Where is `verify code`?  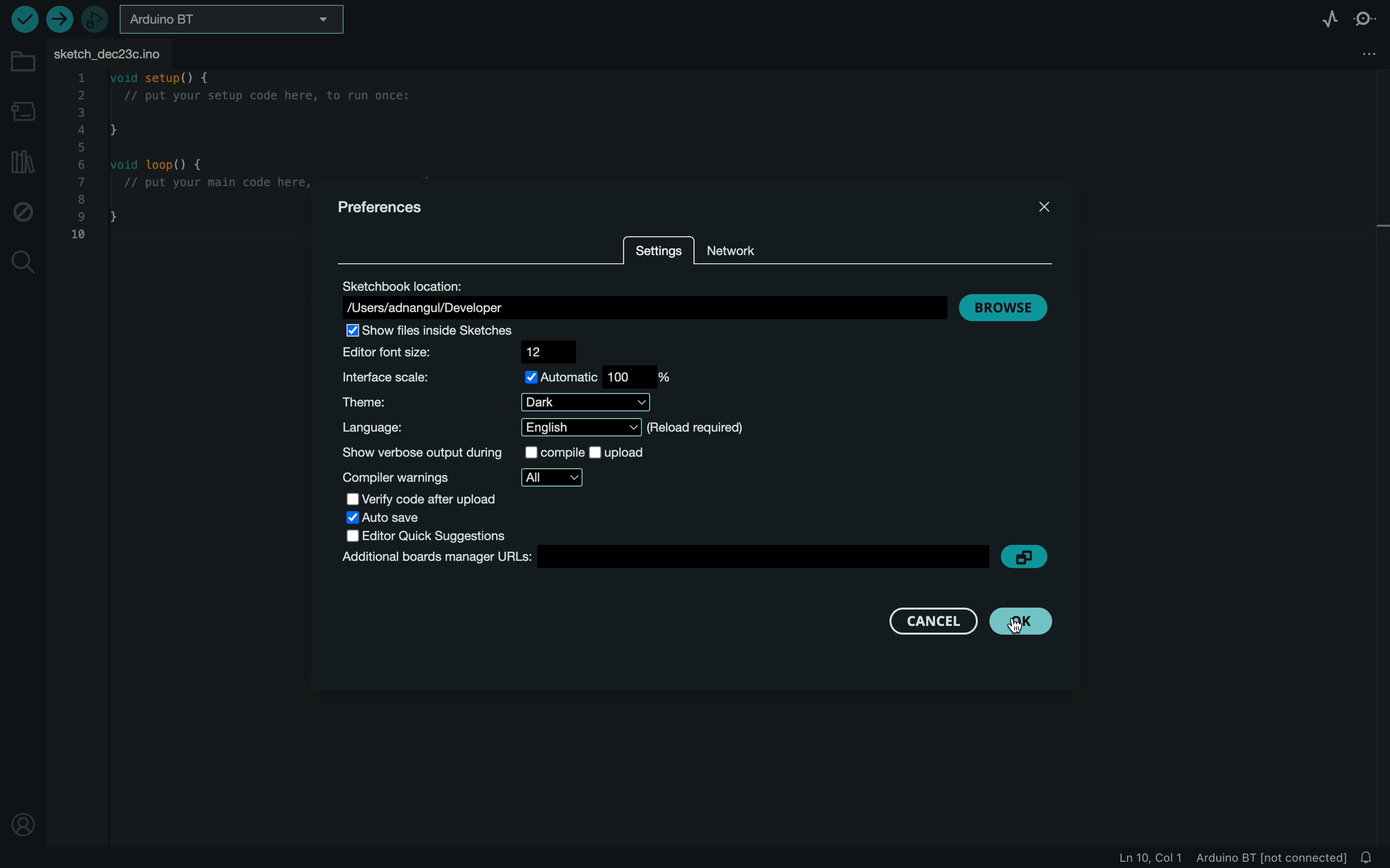 verify code is located at coordinates (432, 501).